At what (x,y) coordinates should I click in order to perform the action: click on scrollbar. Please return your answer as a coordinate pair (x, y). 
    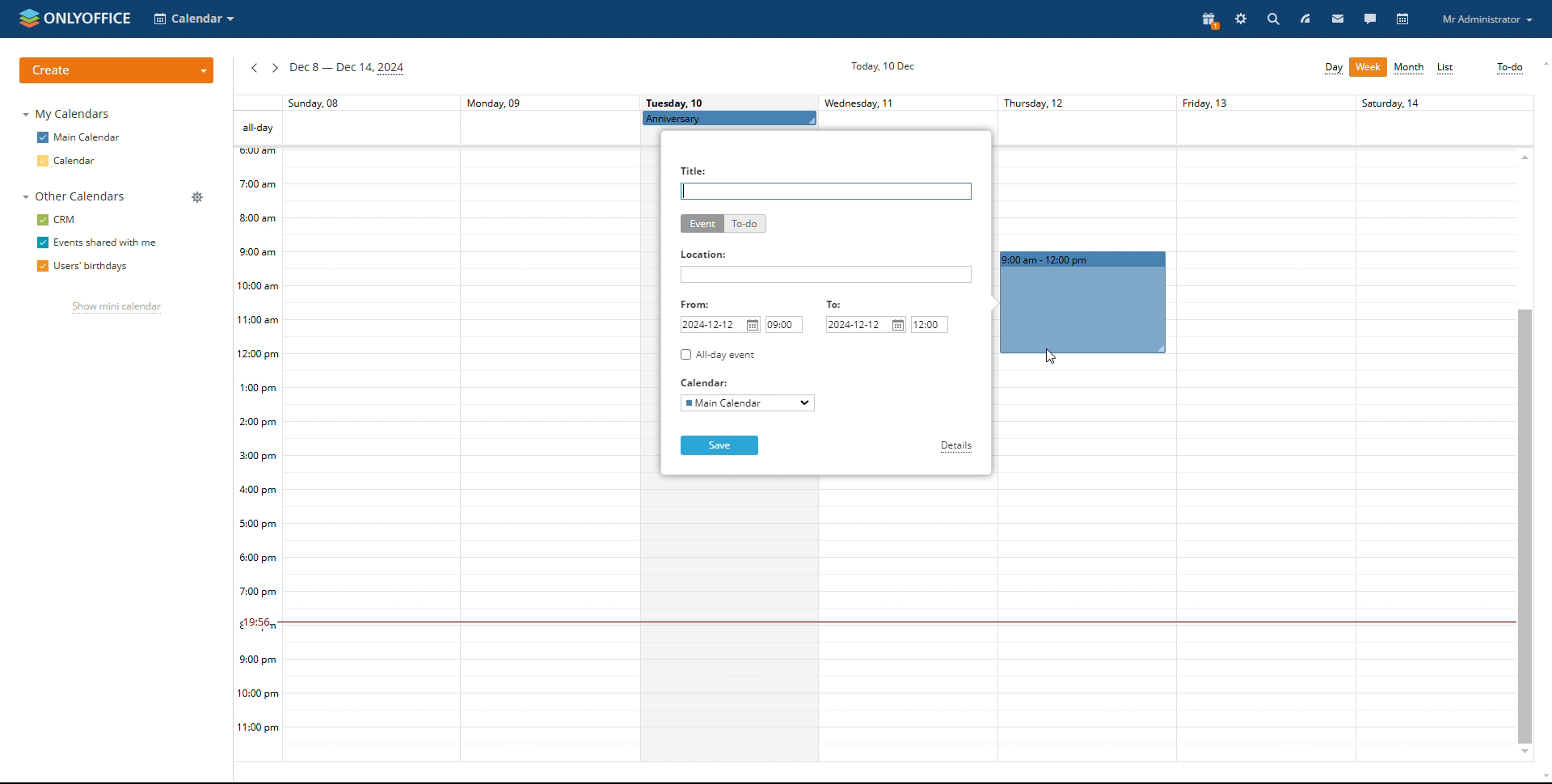
    Looking at the image, I should click on (1525, 525).